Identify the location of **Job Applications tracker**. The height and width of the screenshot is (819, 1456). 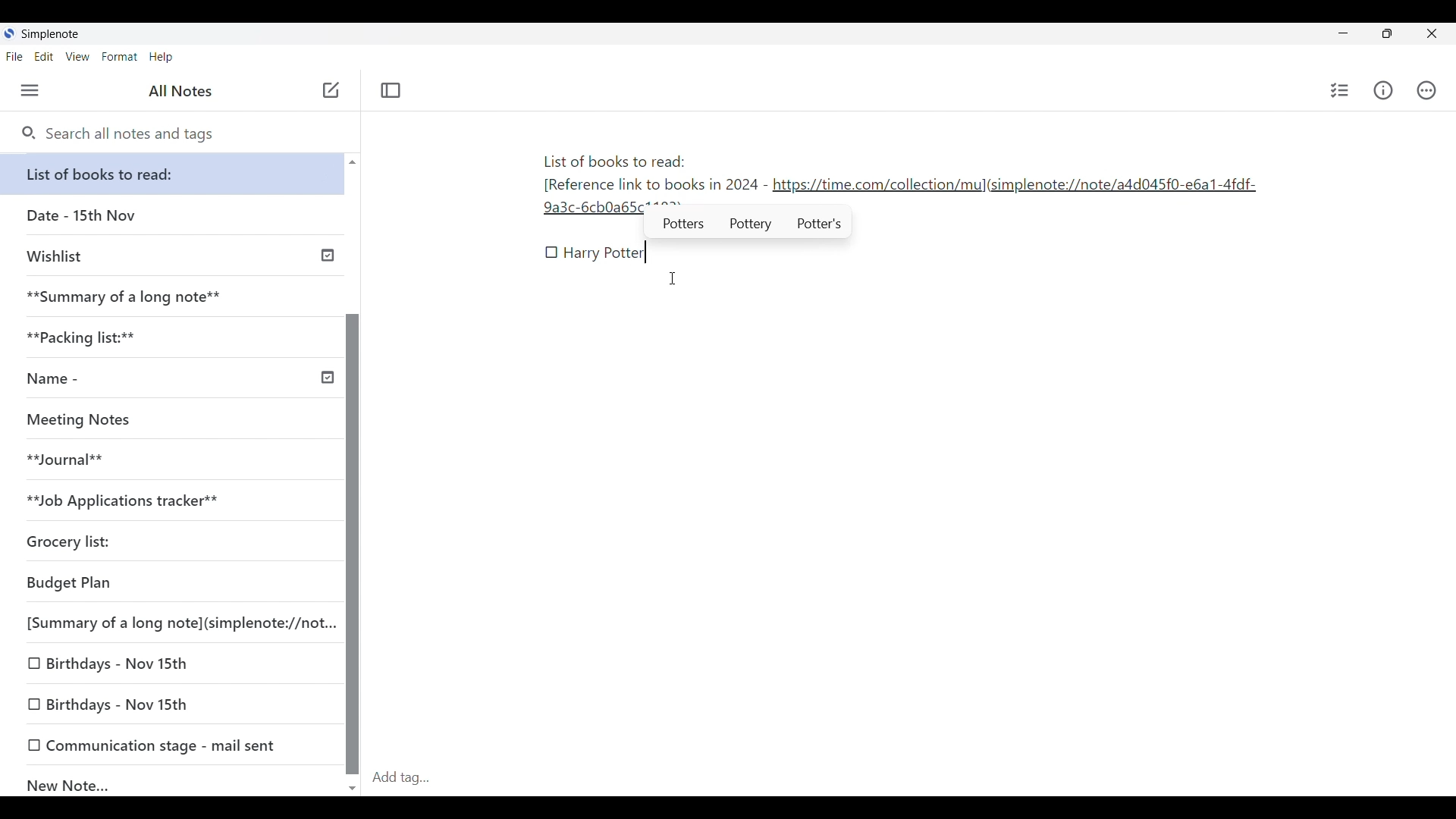
(167, 501).